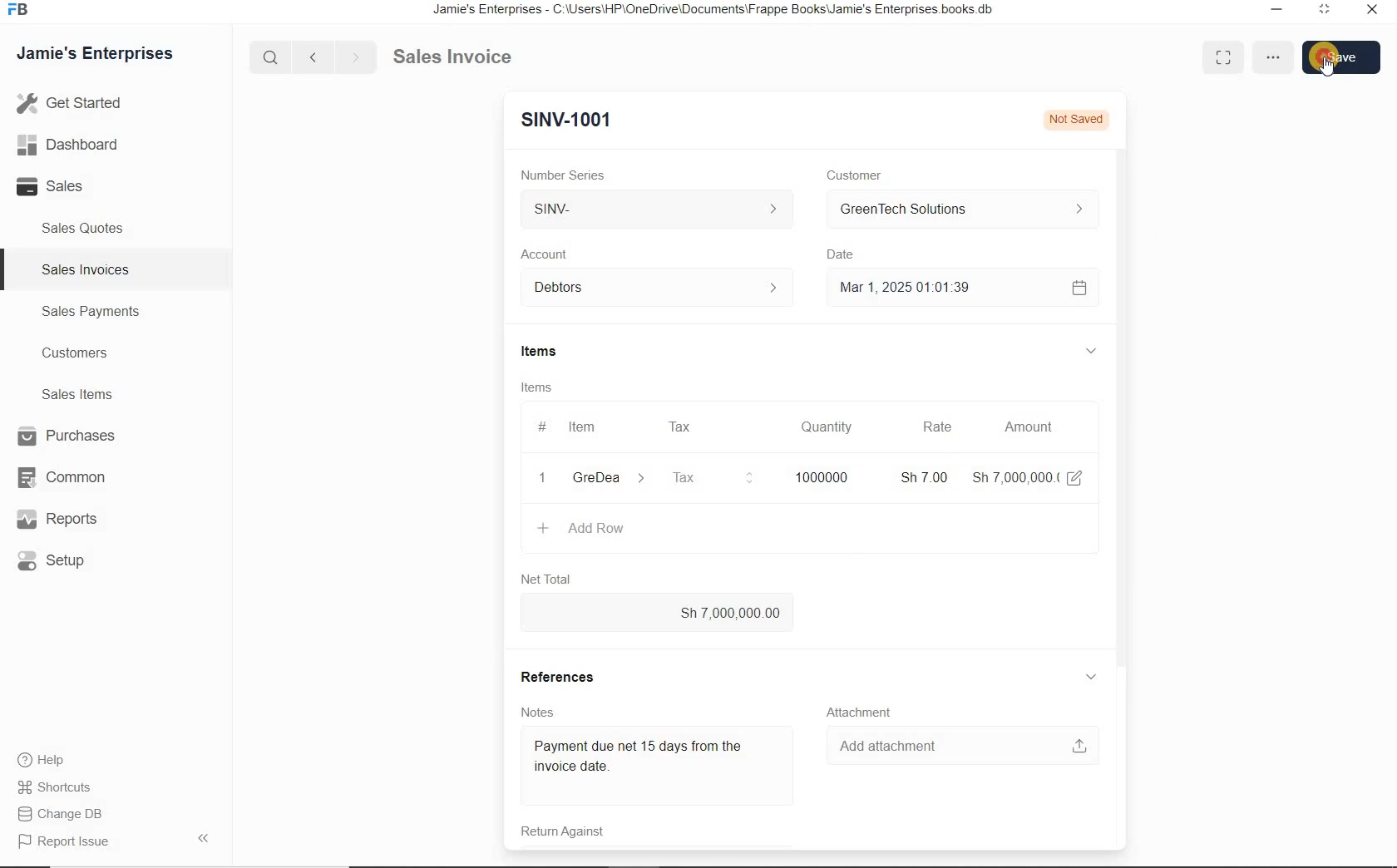 This screenshot has height=868, width=1397. What do you see at coordinates (1013, 477) in the screenshot?
I see `Sh 7,000,000` at bounding box center [1013, 477].